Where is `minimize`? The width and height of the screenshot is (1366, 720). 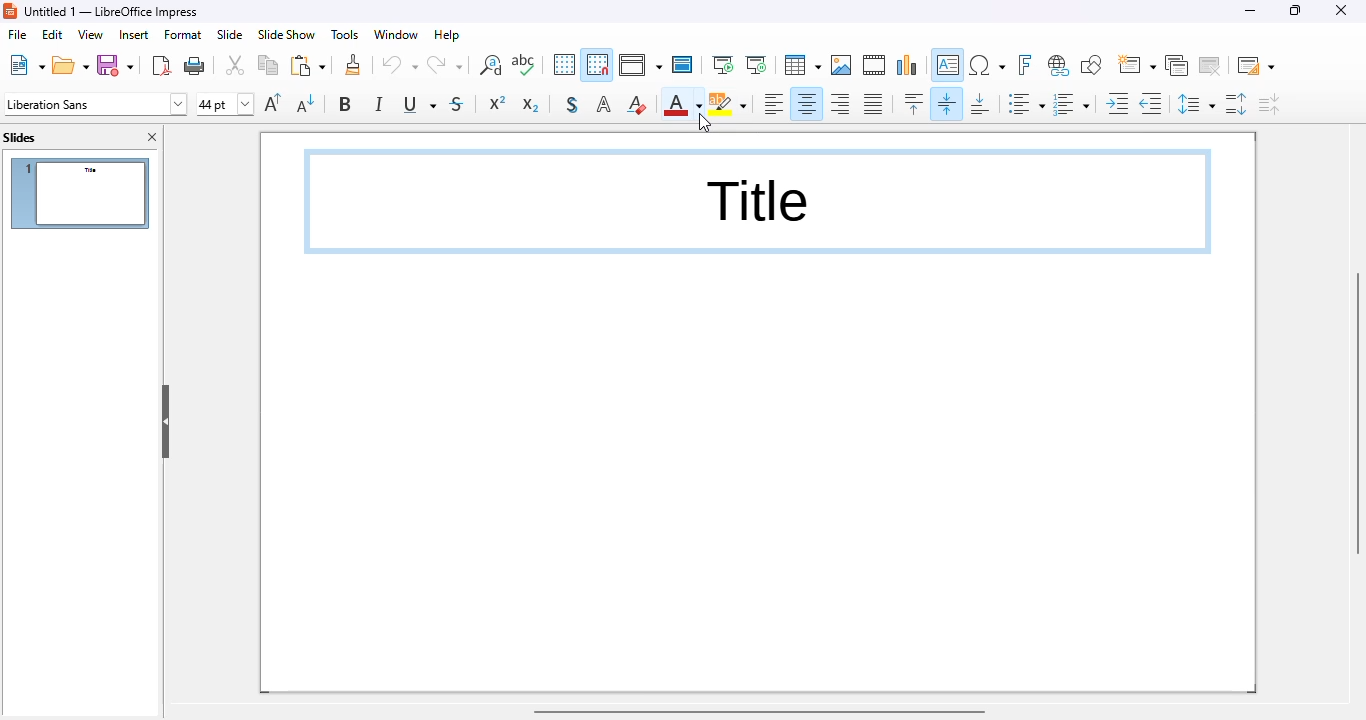 minimize is located at coordinates (1250, 11).